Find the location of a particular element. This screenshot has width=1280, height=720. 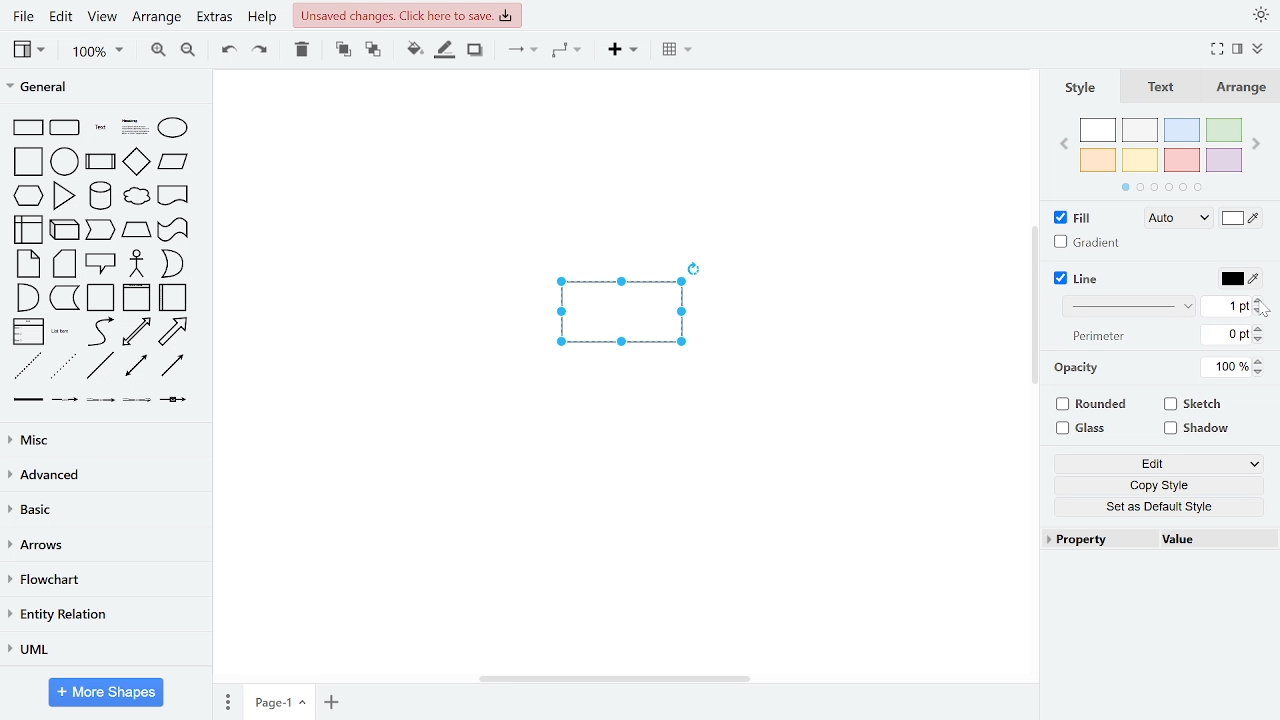

UML is located at coordinates (102, 649).